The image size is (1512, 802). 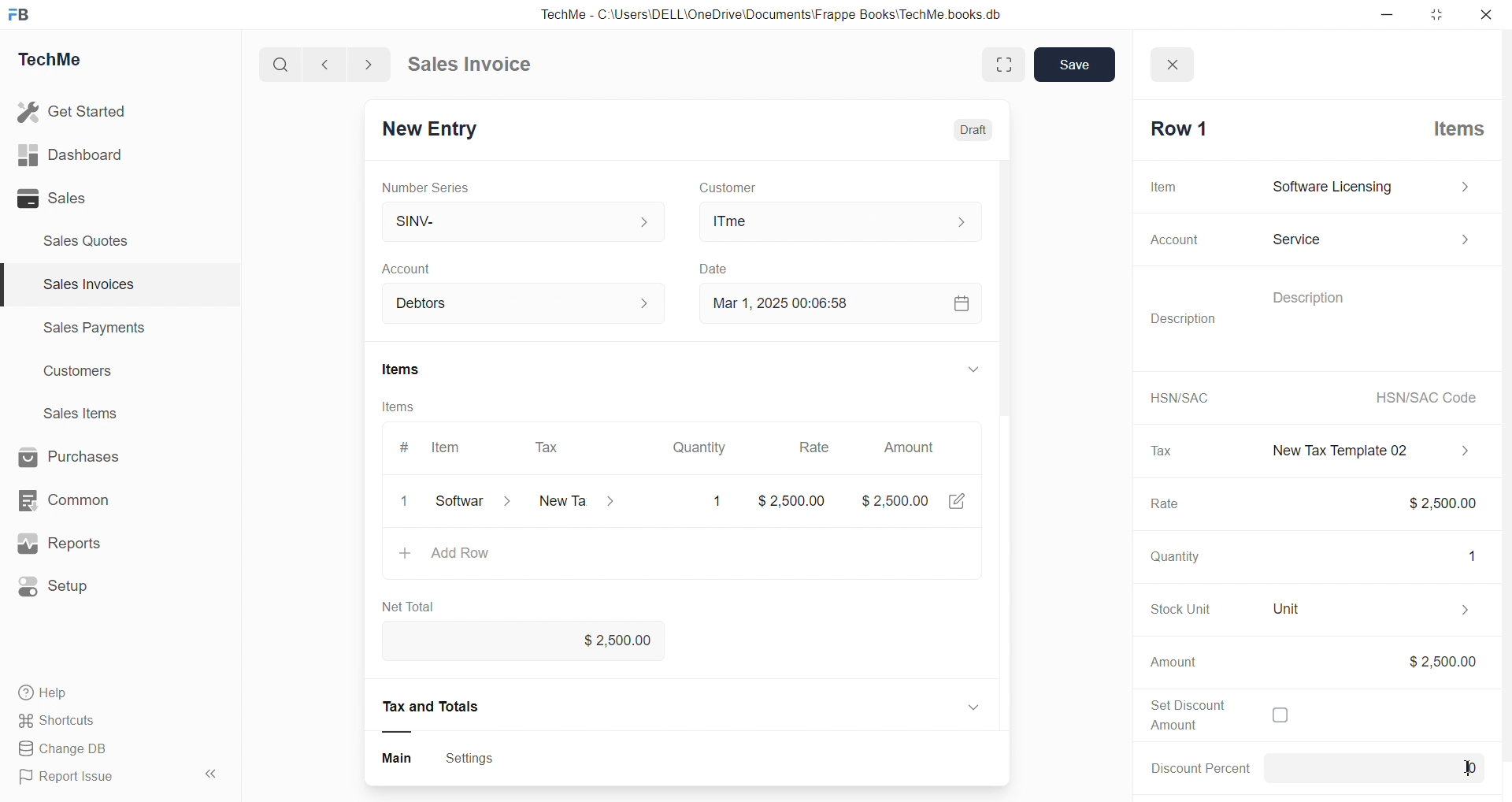 I want to click on Purchases, so click(x=83, y=455).